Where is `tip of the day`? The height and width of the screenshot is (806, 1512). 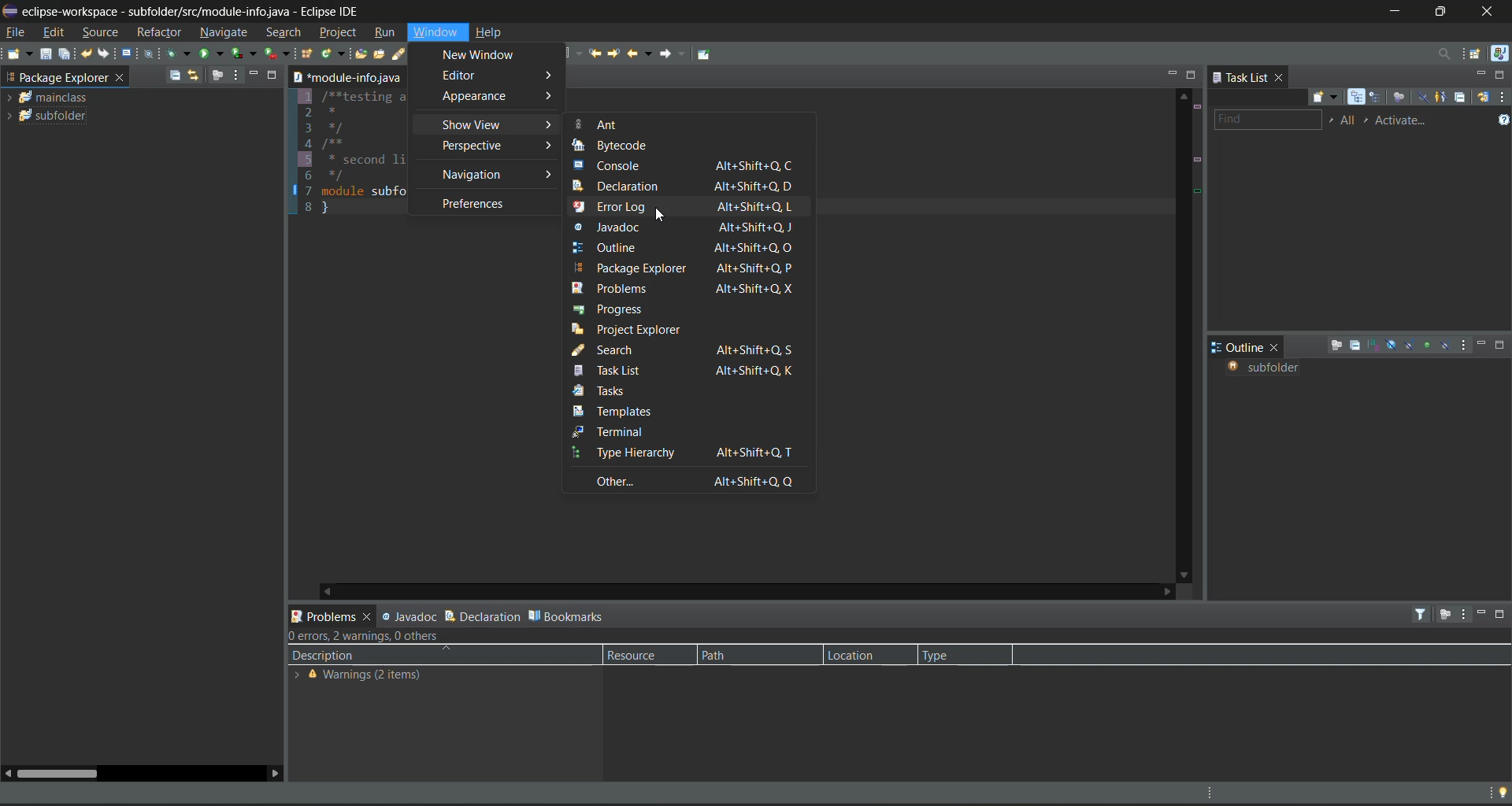 tip of the day is located at coordinates (1499, 793).